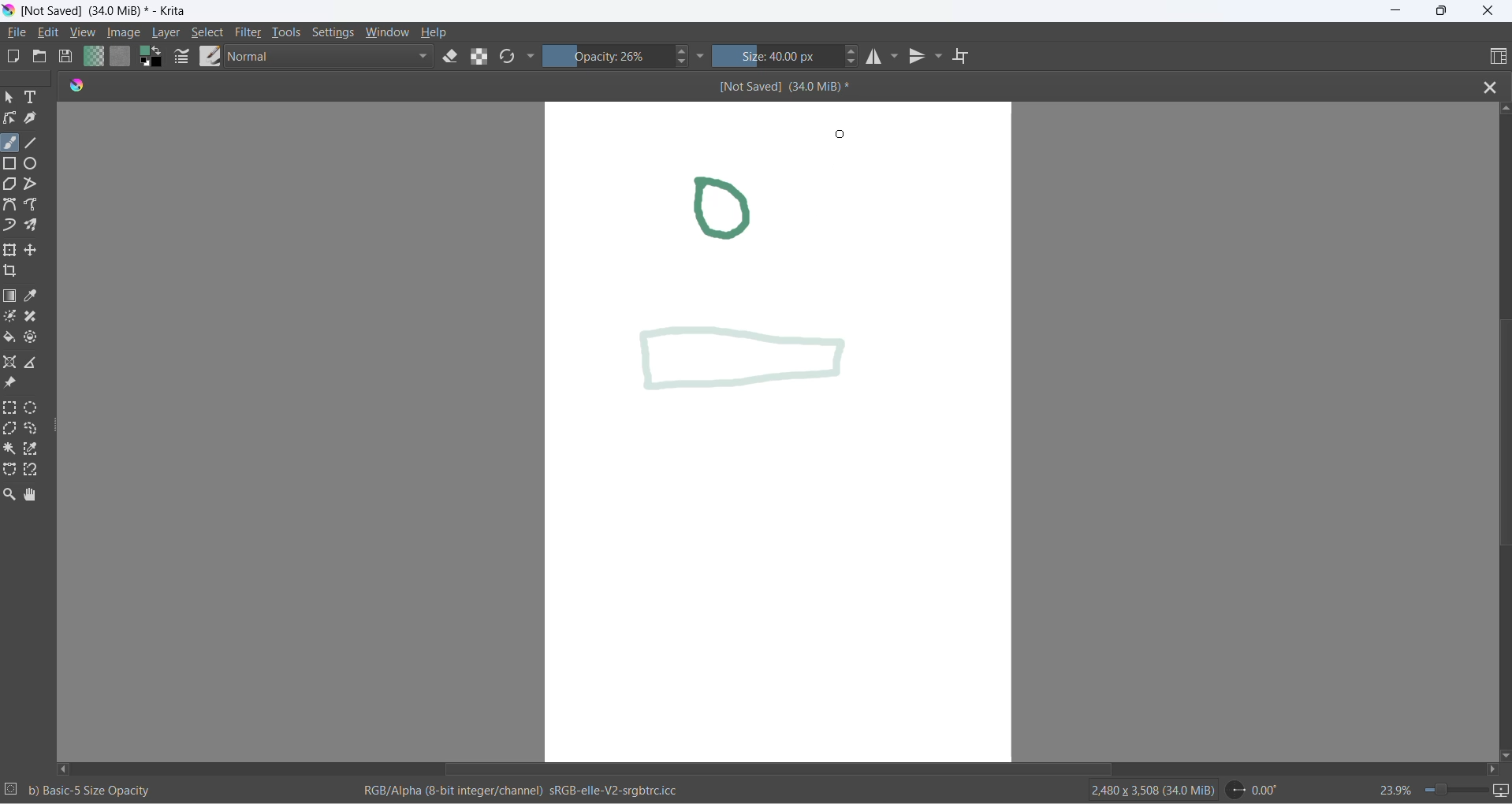 This screenshot has width=1512, height=804. I want to click on scroll down button, so click(1503, 754).